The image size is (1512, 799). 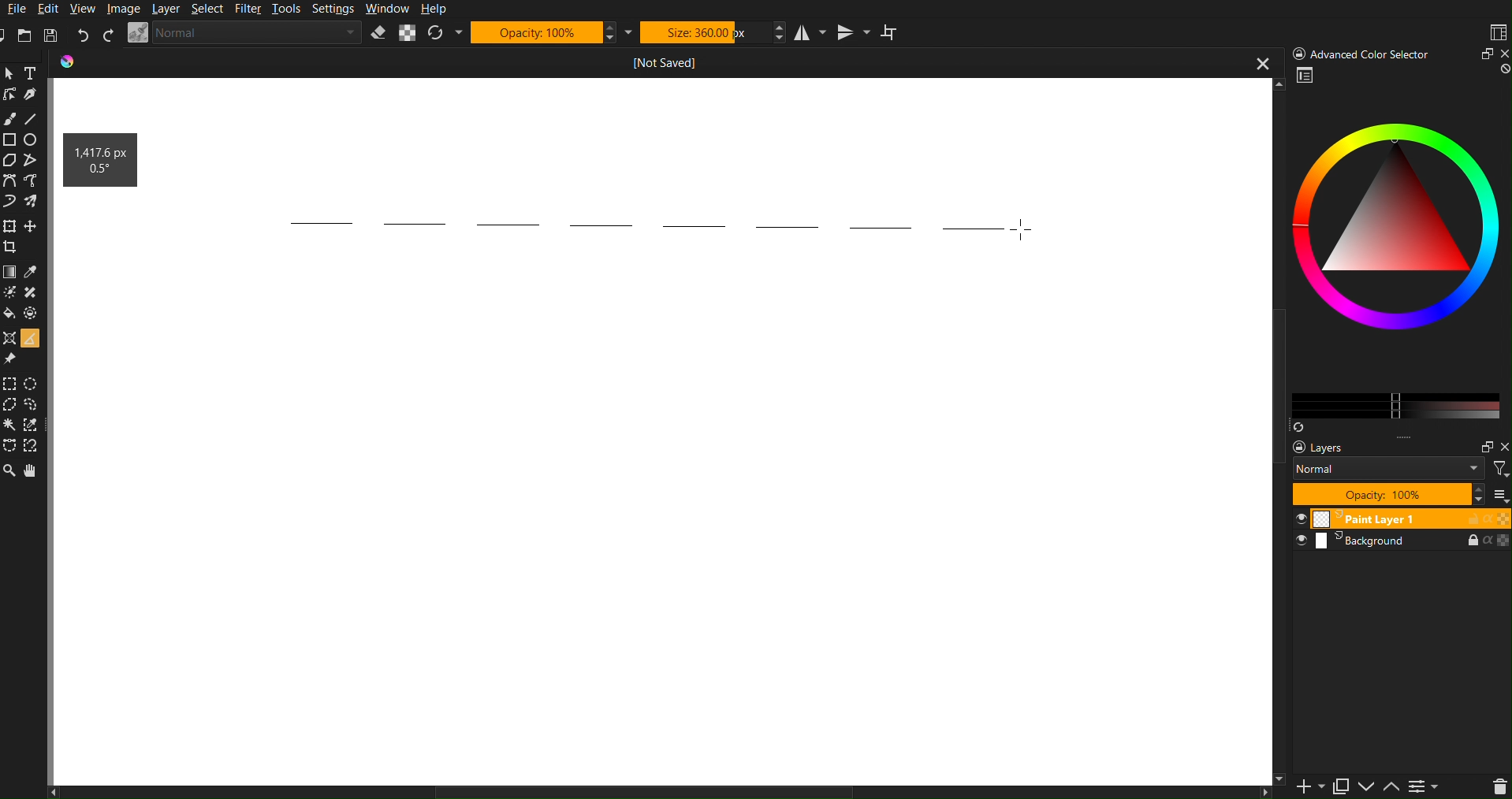 I want to click on Background, so click(x=1401, y=542).